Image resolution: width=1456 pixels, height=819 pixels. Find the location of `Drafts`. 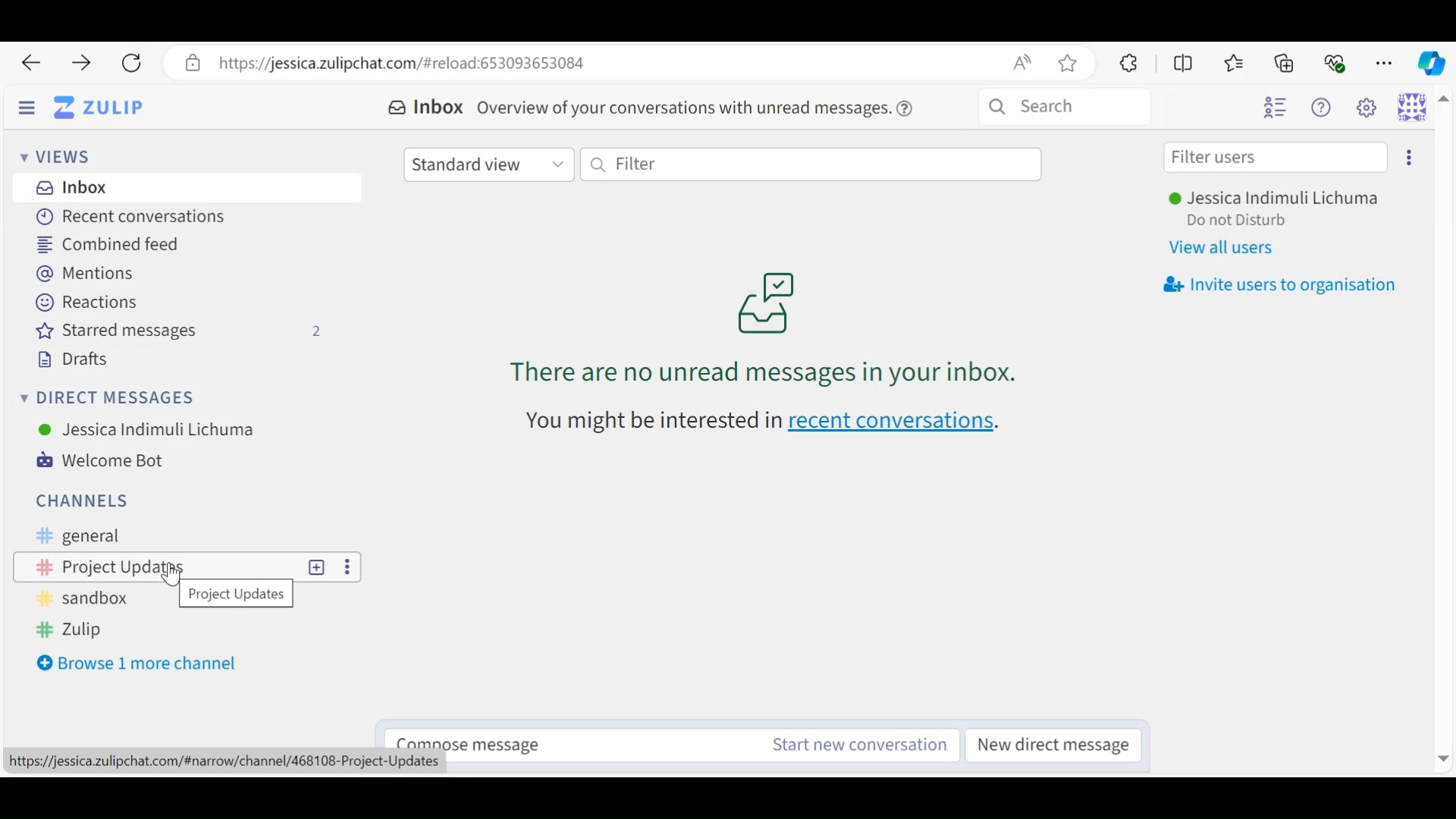

Drafts is located at coordinates (71, 359).